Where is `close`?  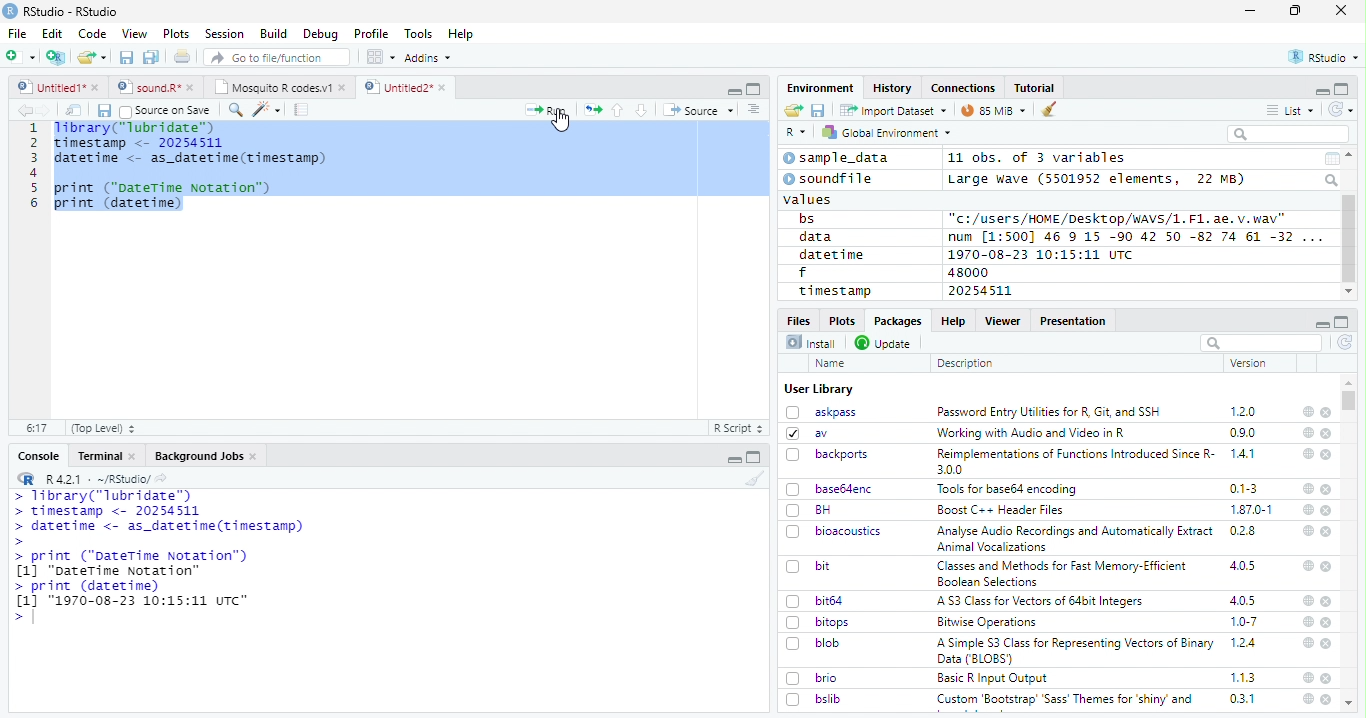 close is located at coordinates (1341, 9).